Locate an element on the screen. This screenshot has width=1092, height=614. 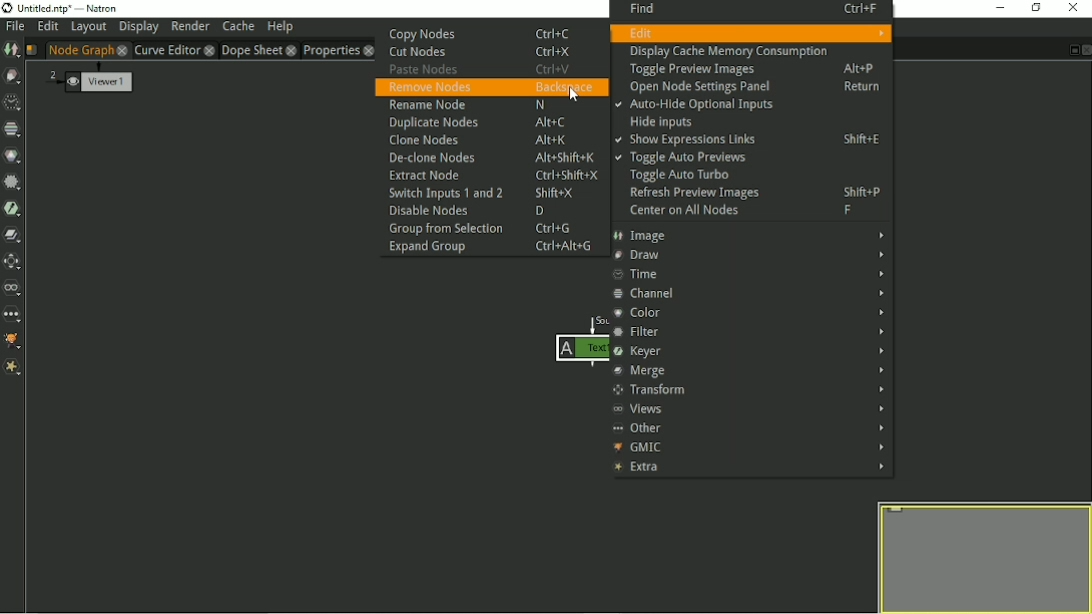
Edit is located at coordinates (47, 27).